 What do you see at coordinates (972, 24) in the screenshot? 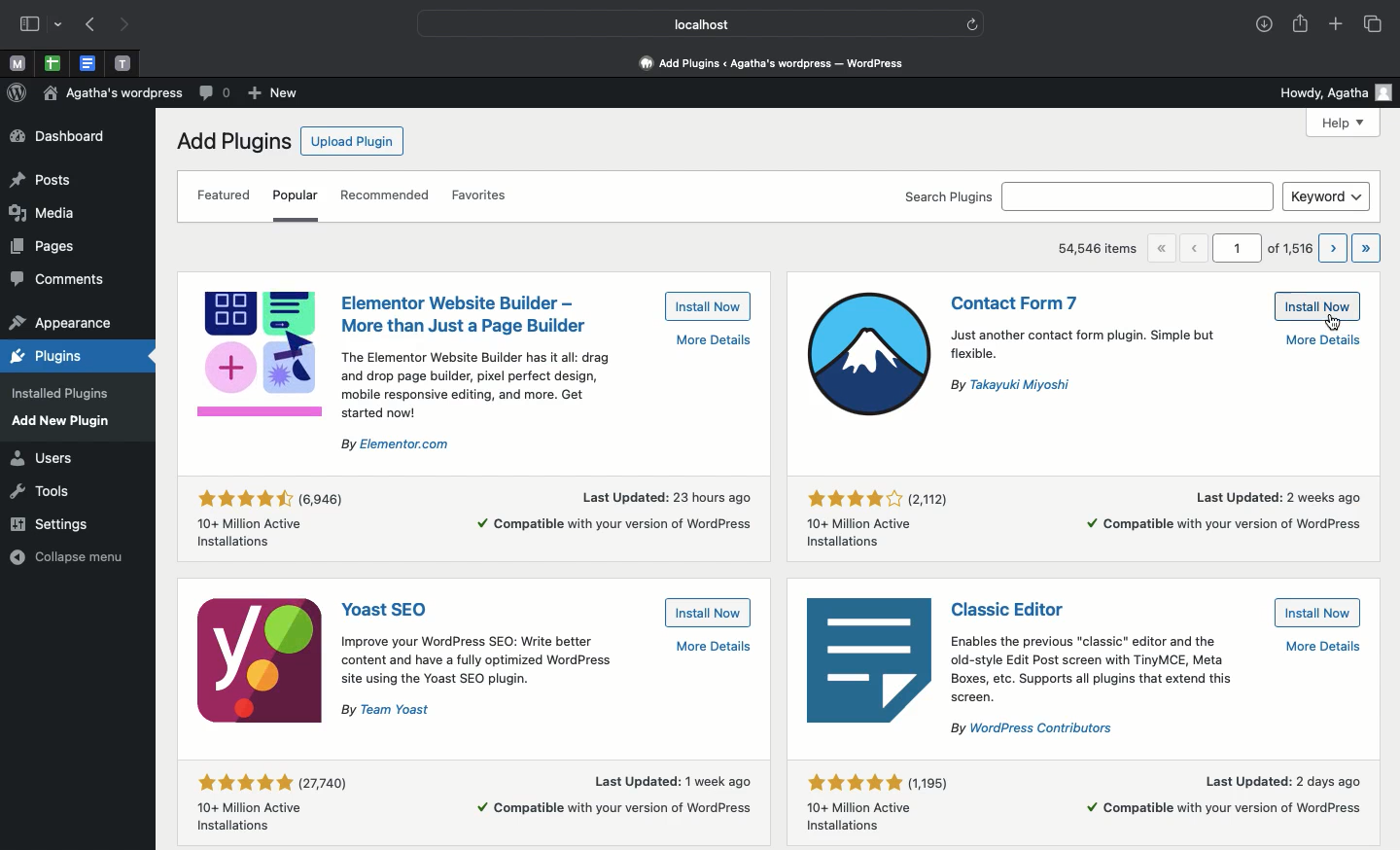
I see `refresh` at bounding box center [972, 24].